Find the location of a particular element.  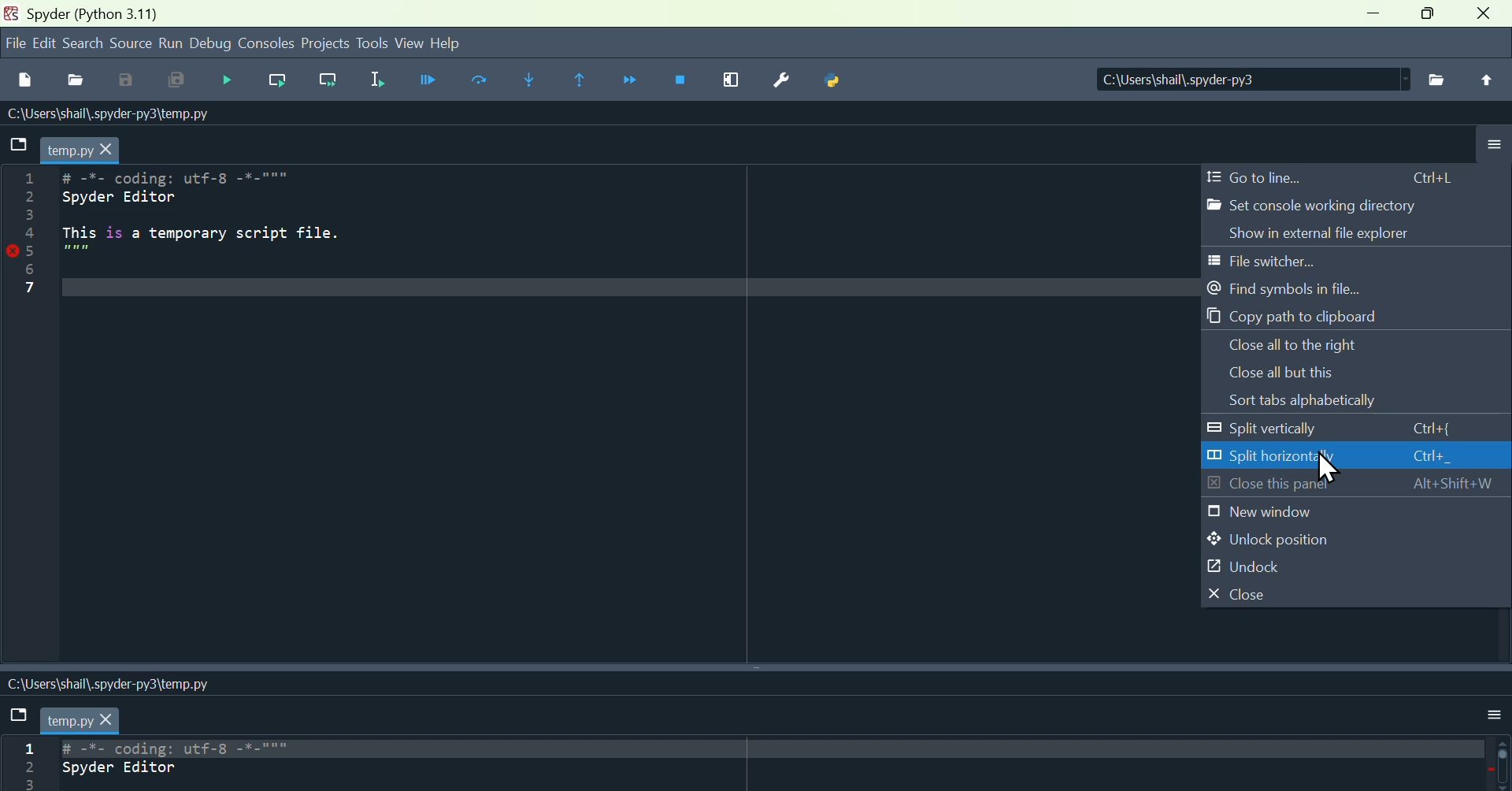

Continue execution until next function is located at coordinates (636, 80).